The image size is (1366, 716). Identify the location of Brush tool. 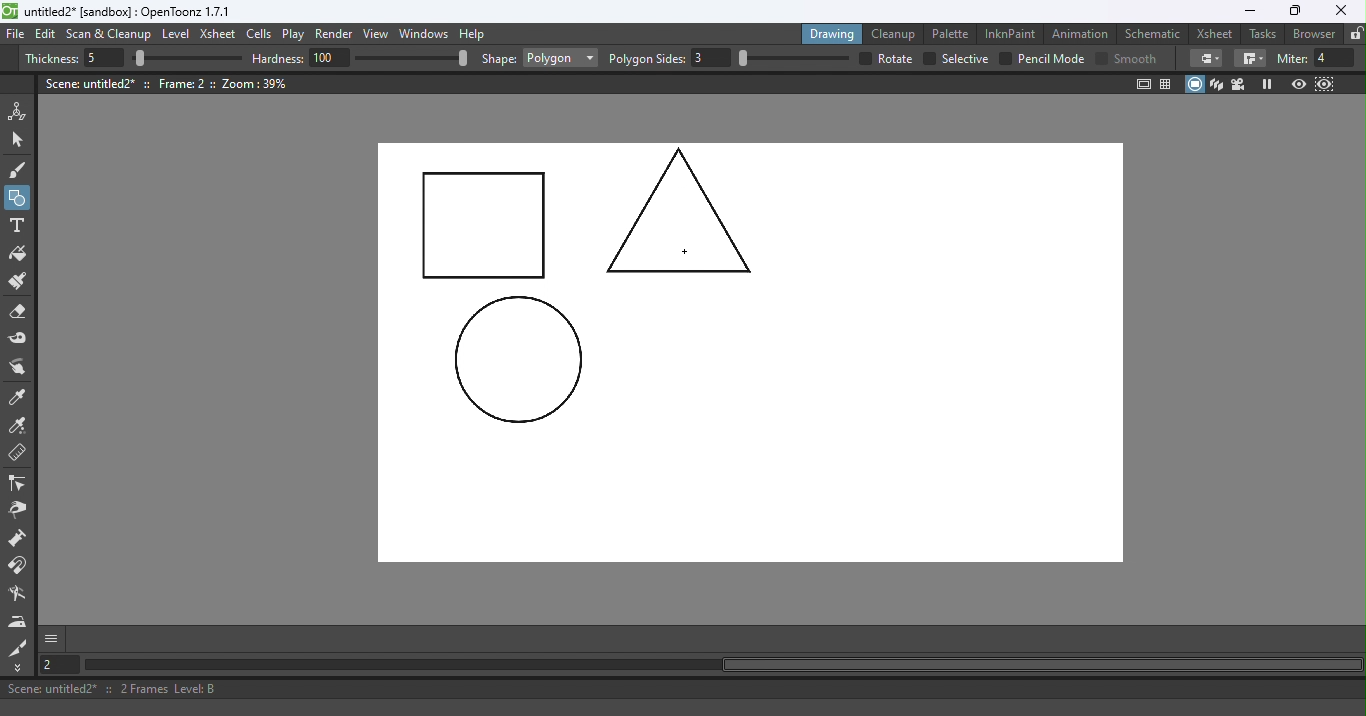
(22, 169).